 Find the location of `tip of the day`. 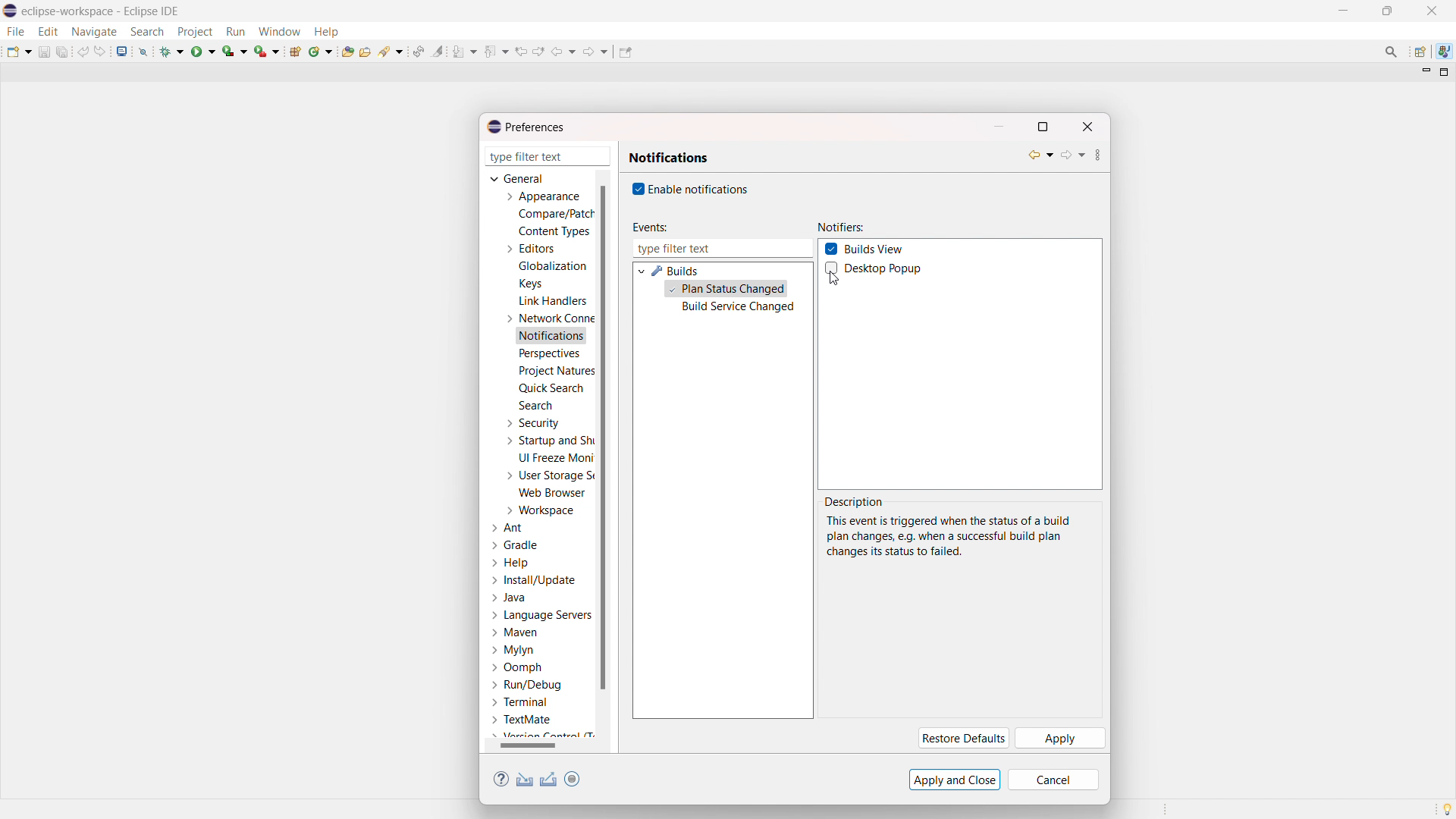

tip of the day is located at coordinates (1447, 808).